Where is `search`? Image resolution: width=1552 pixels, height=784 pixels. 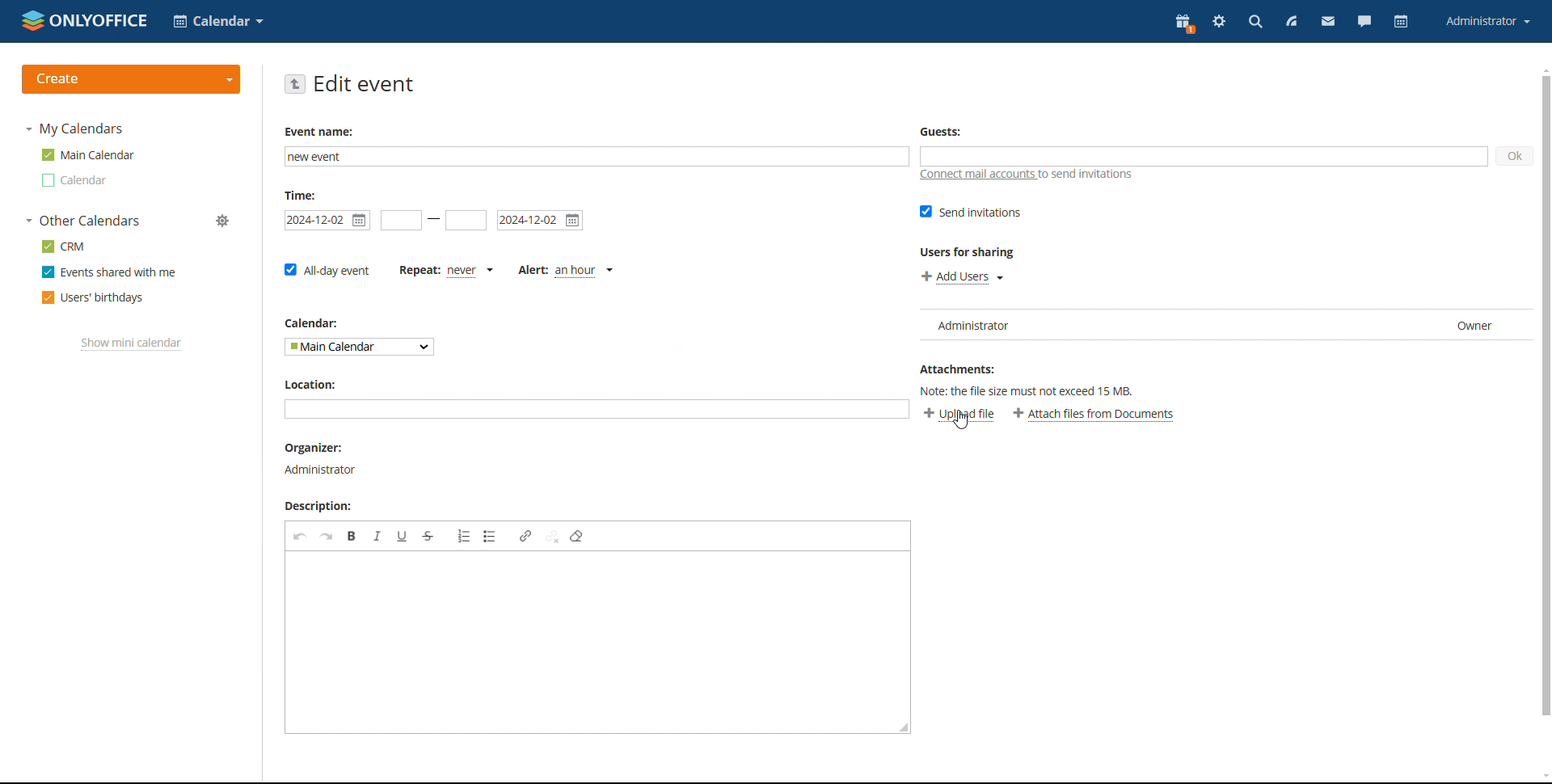 search is located at coordinates (1256, 23).